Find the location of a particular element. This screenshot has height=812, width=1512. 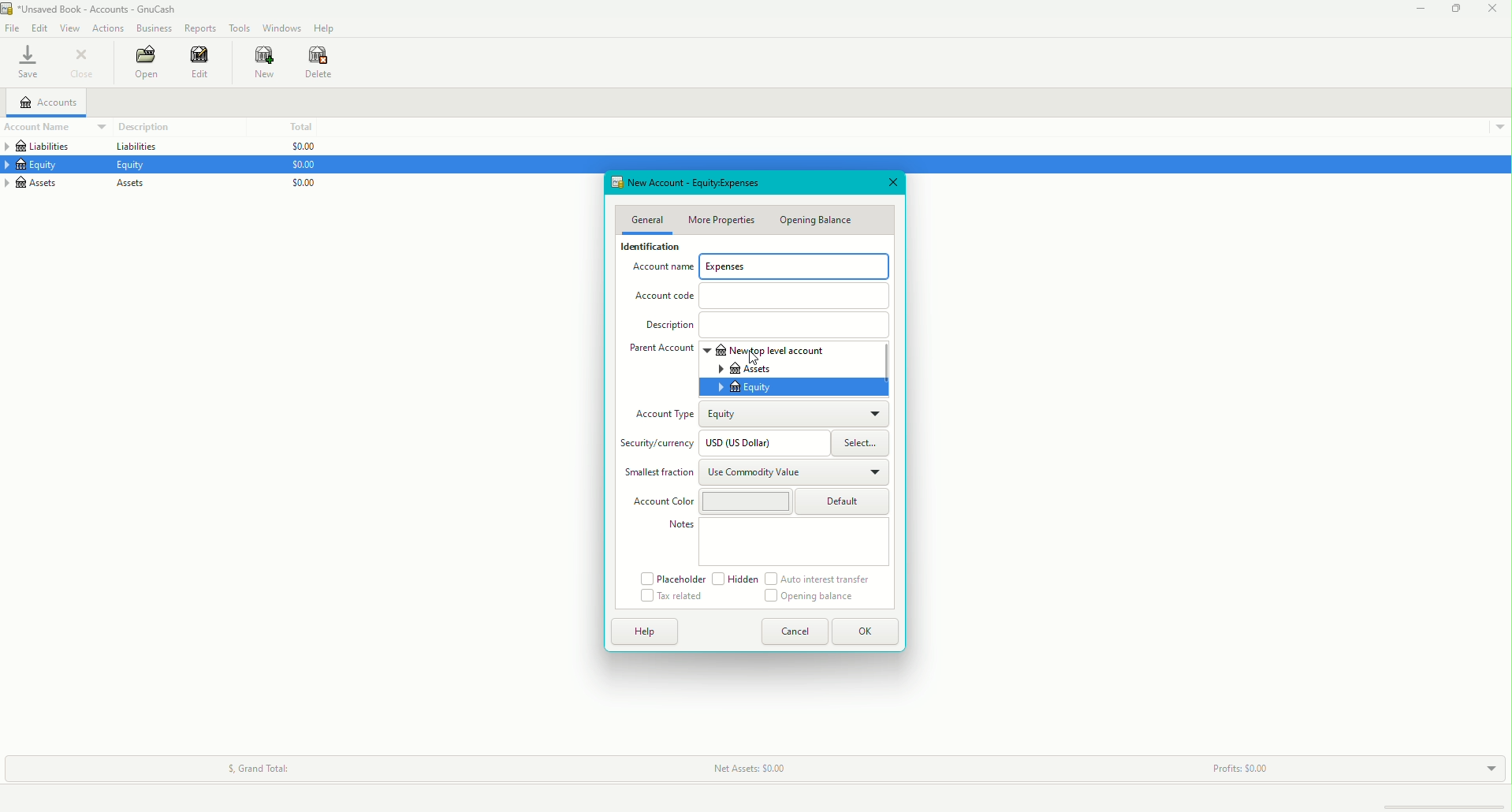

unsaved book is located at coordinates (96, 9).